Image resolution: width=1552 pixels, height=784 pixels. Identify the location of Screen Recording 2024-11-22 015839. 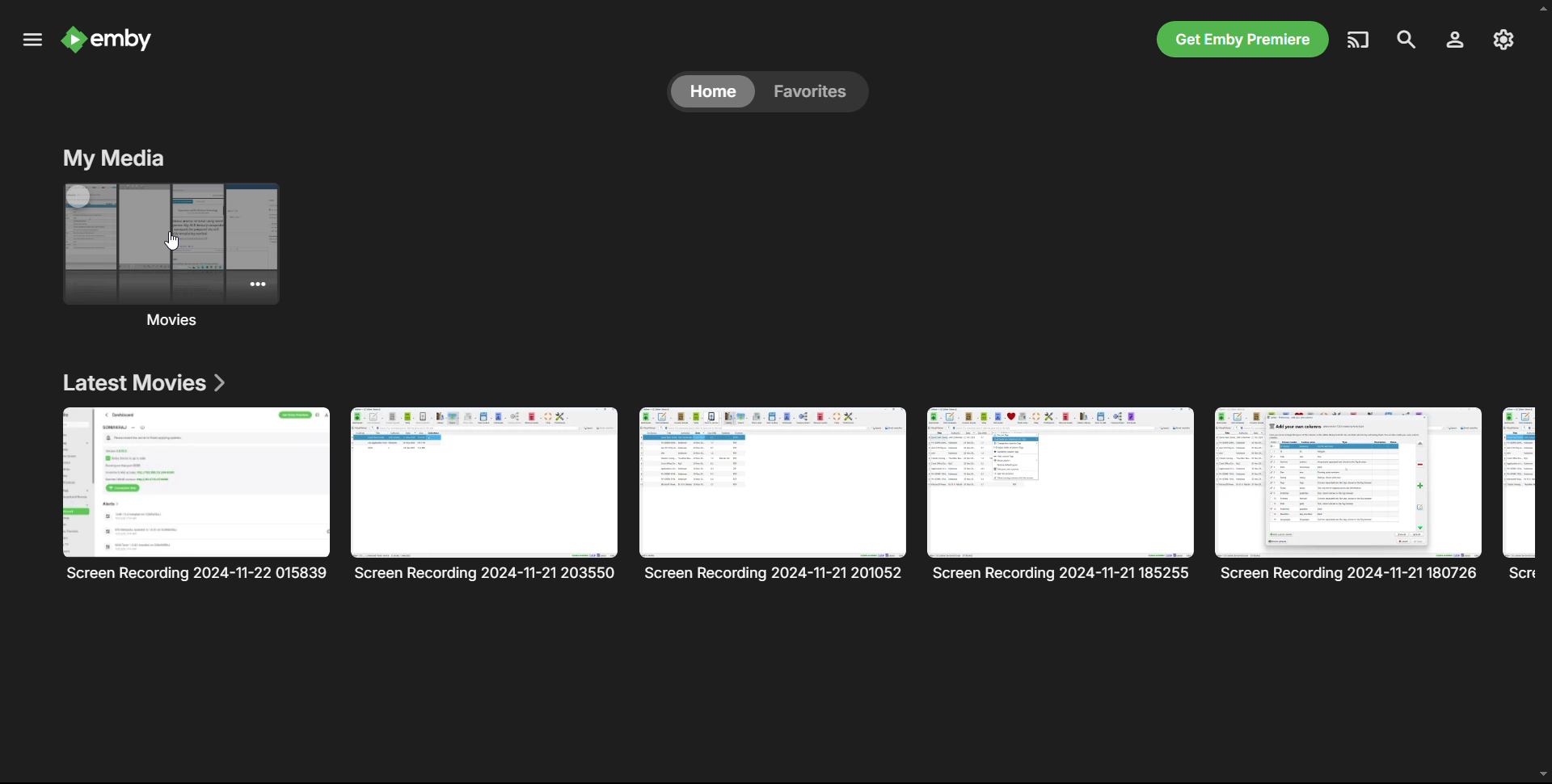
(196, 495).